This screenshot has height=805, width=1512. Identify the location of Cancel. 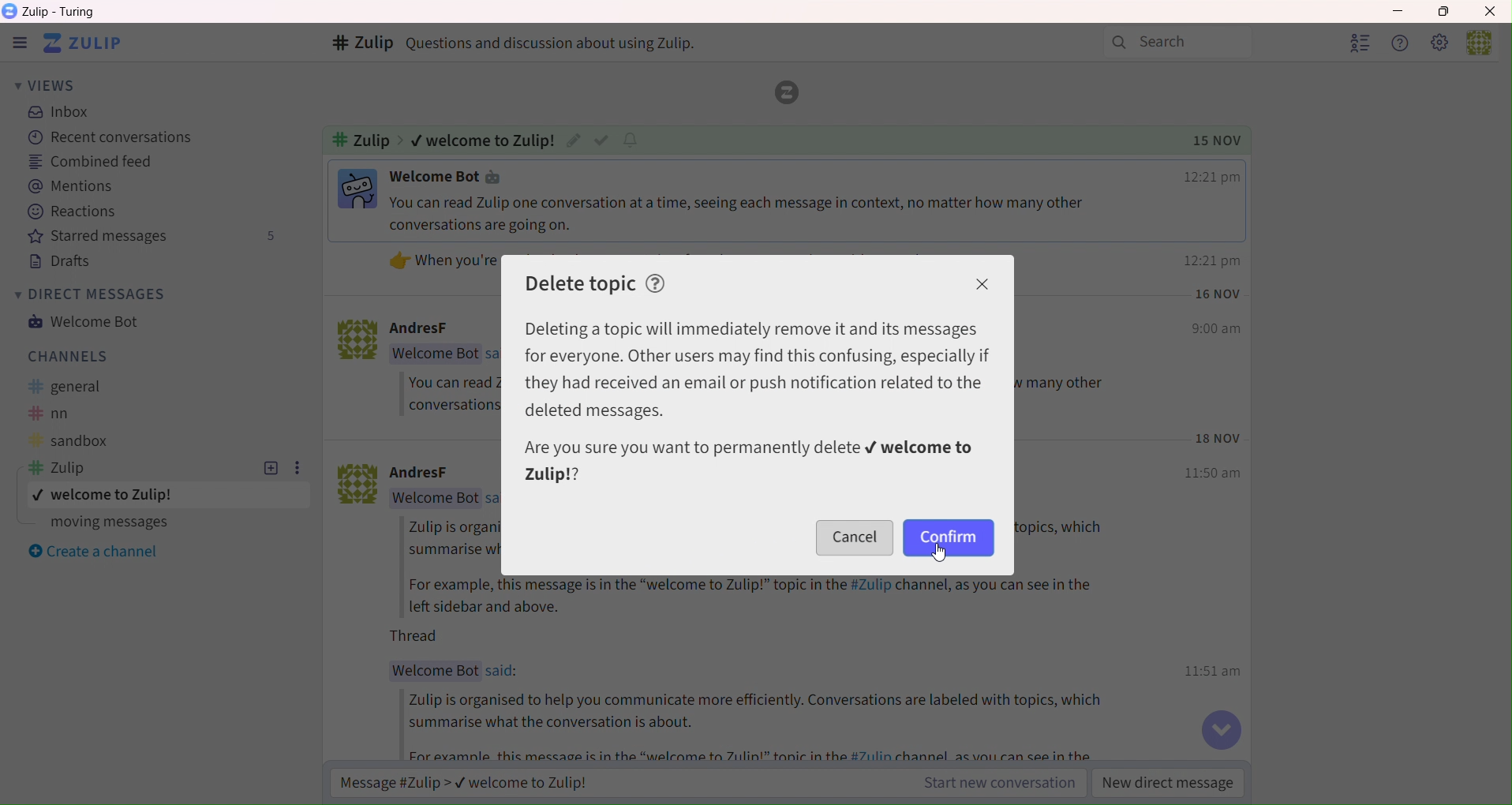
(854, 537).